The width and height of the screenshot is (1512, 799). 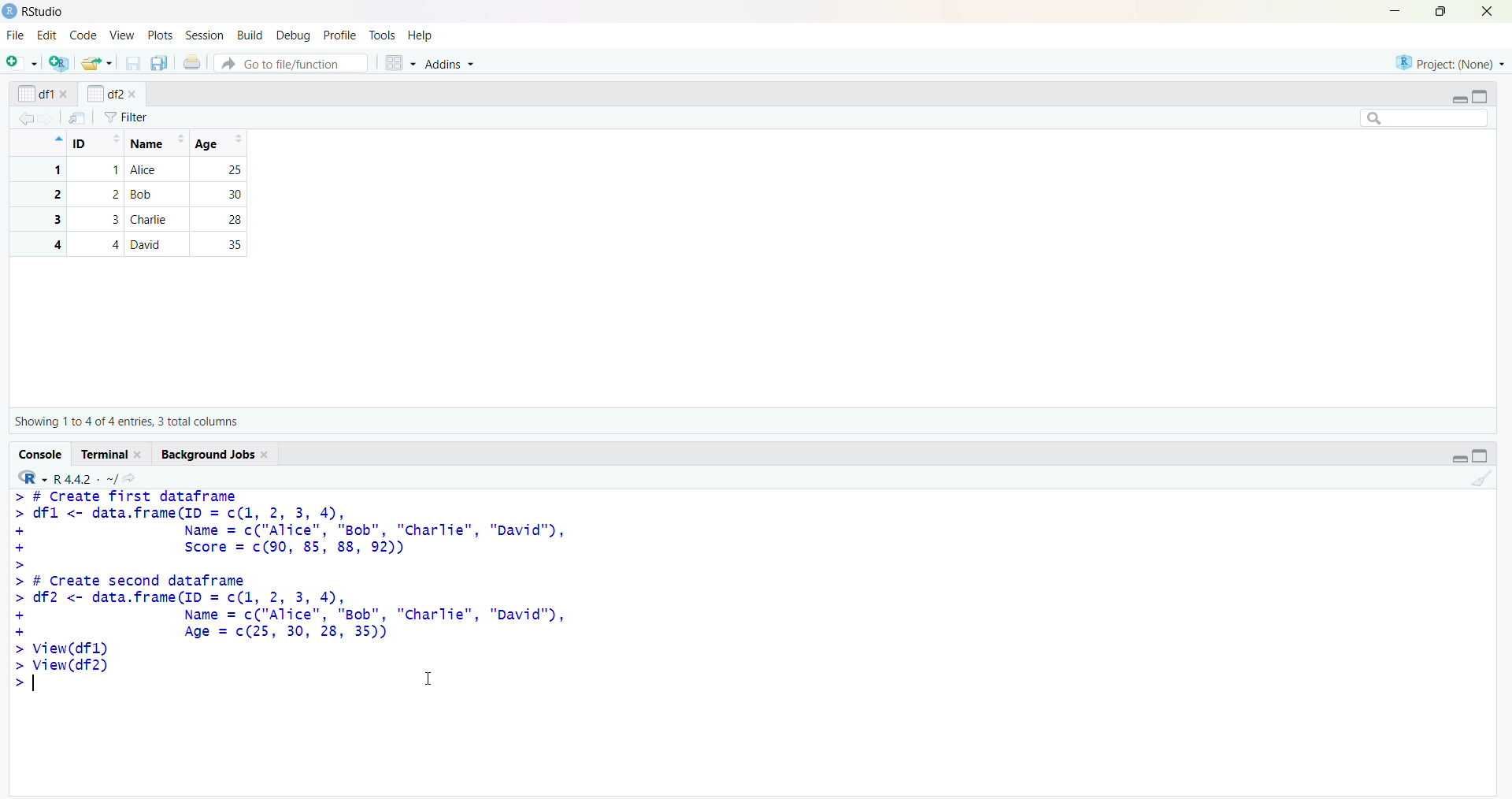 What do you see at coordinates (84, 35) in the screenshot?
I see `code` at bounding box center [84, 35].